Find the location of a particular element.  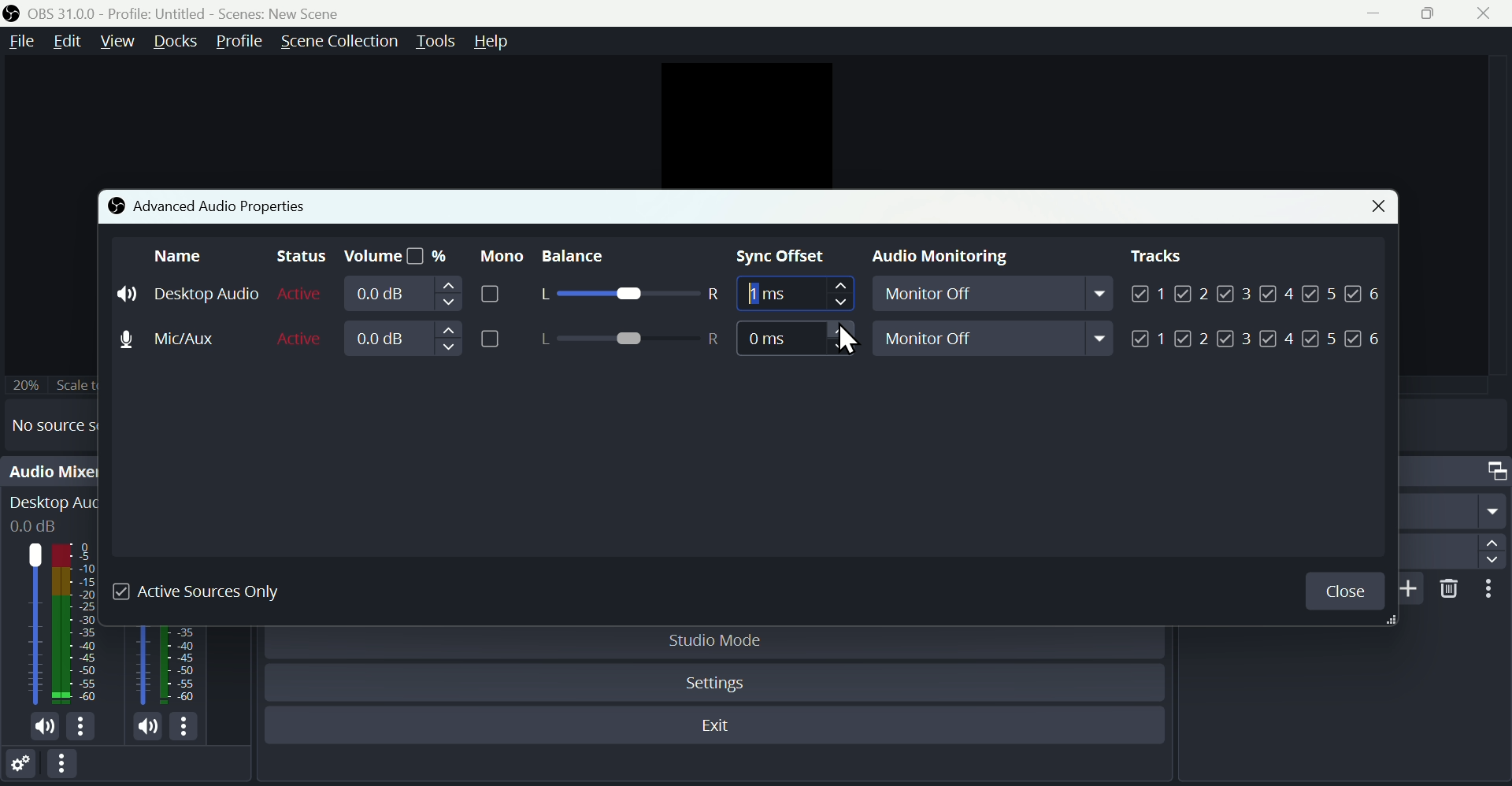

Volume percentage is located at coordinates (395, 257).